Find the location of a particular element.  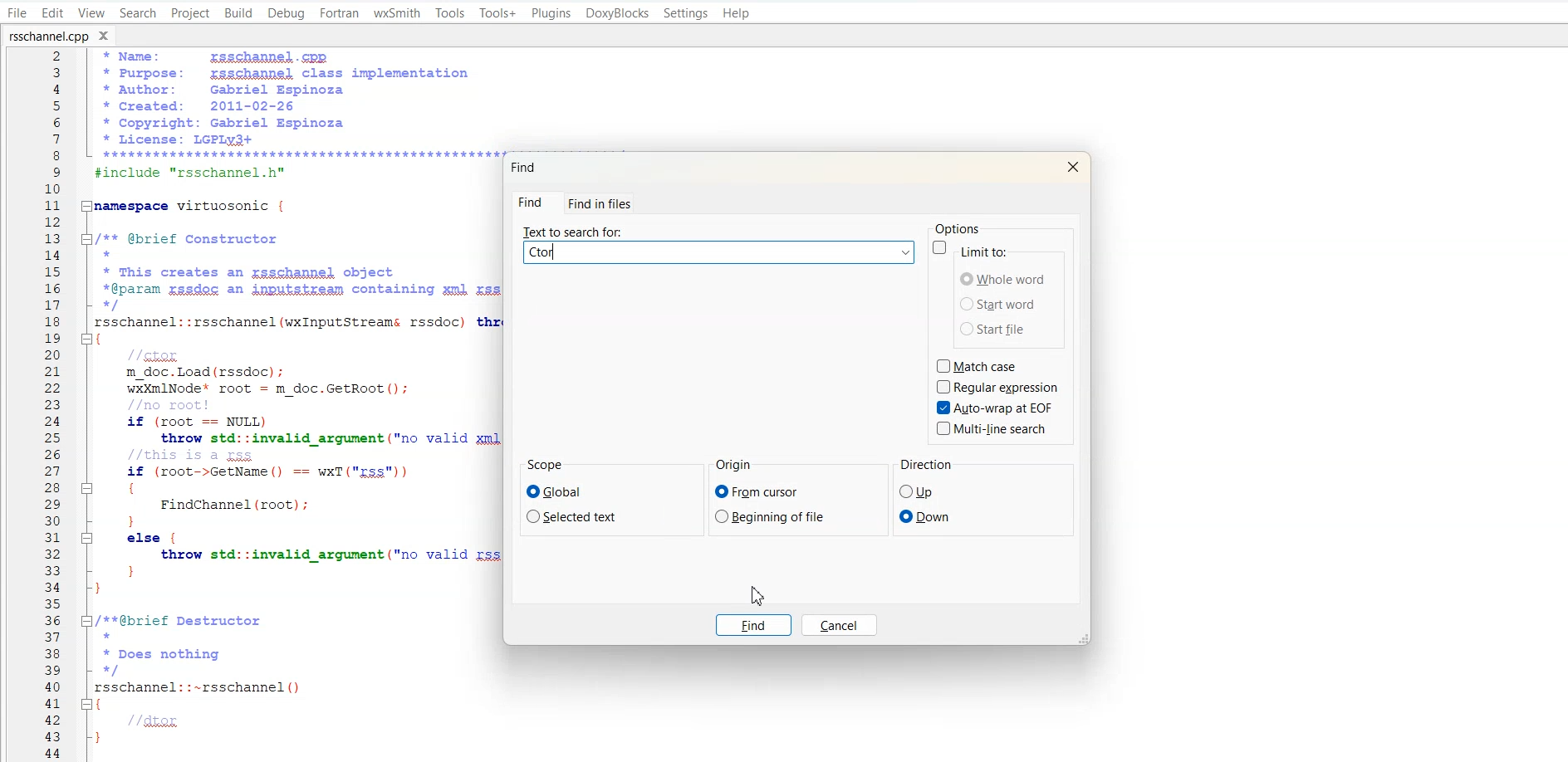

Number line(2,3,4........44) is located at coordinates (53, 405).